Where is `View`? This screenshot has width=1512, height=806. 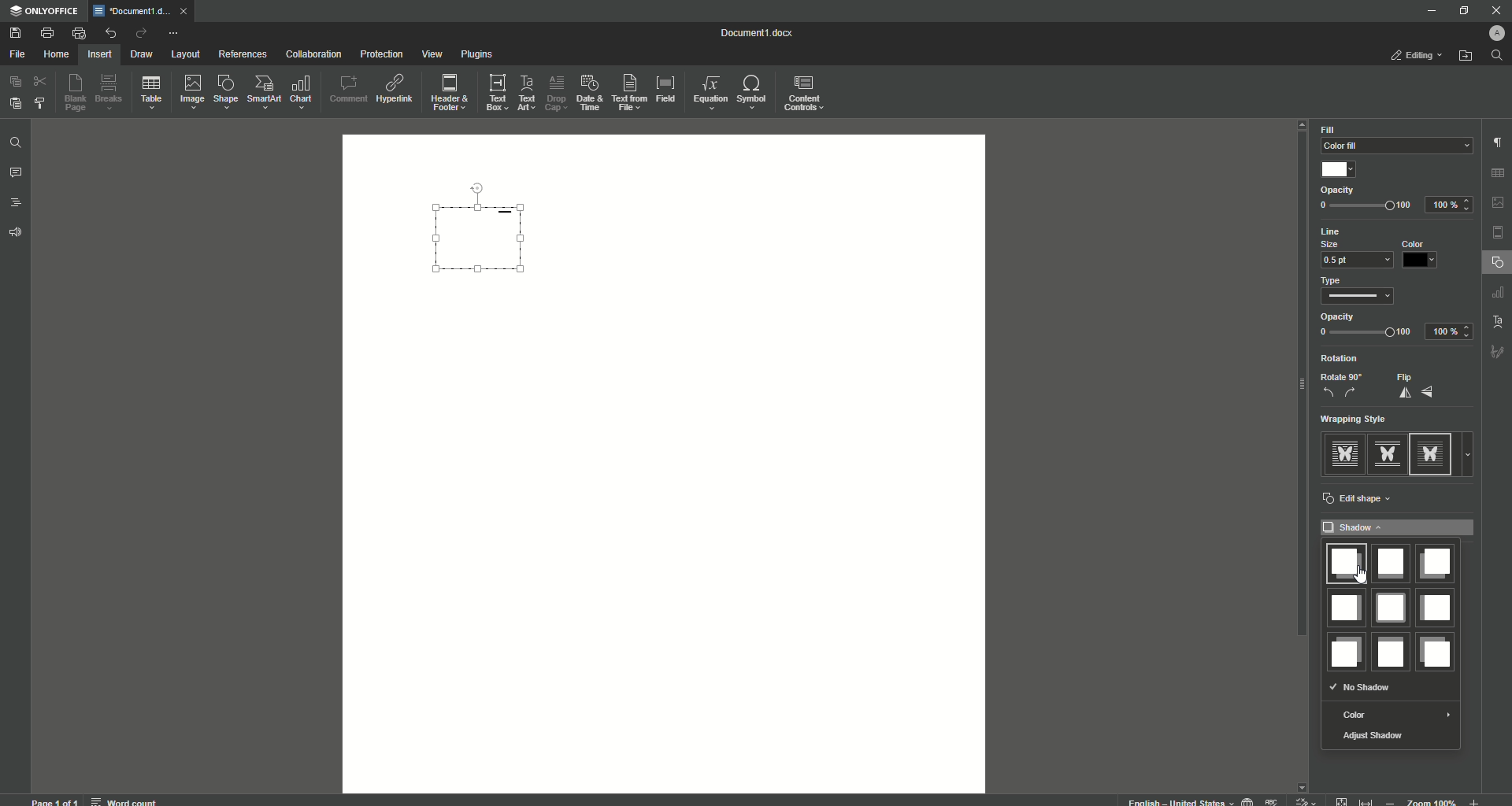
View is located at coordinates (431, 55).